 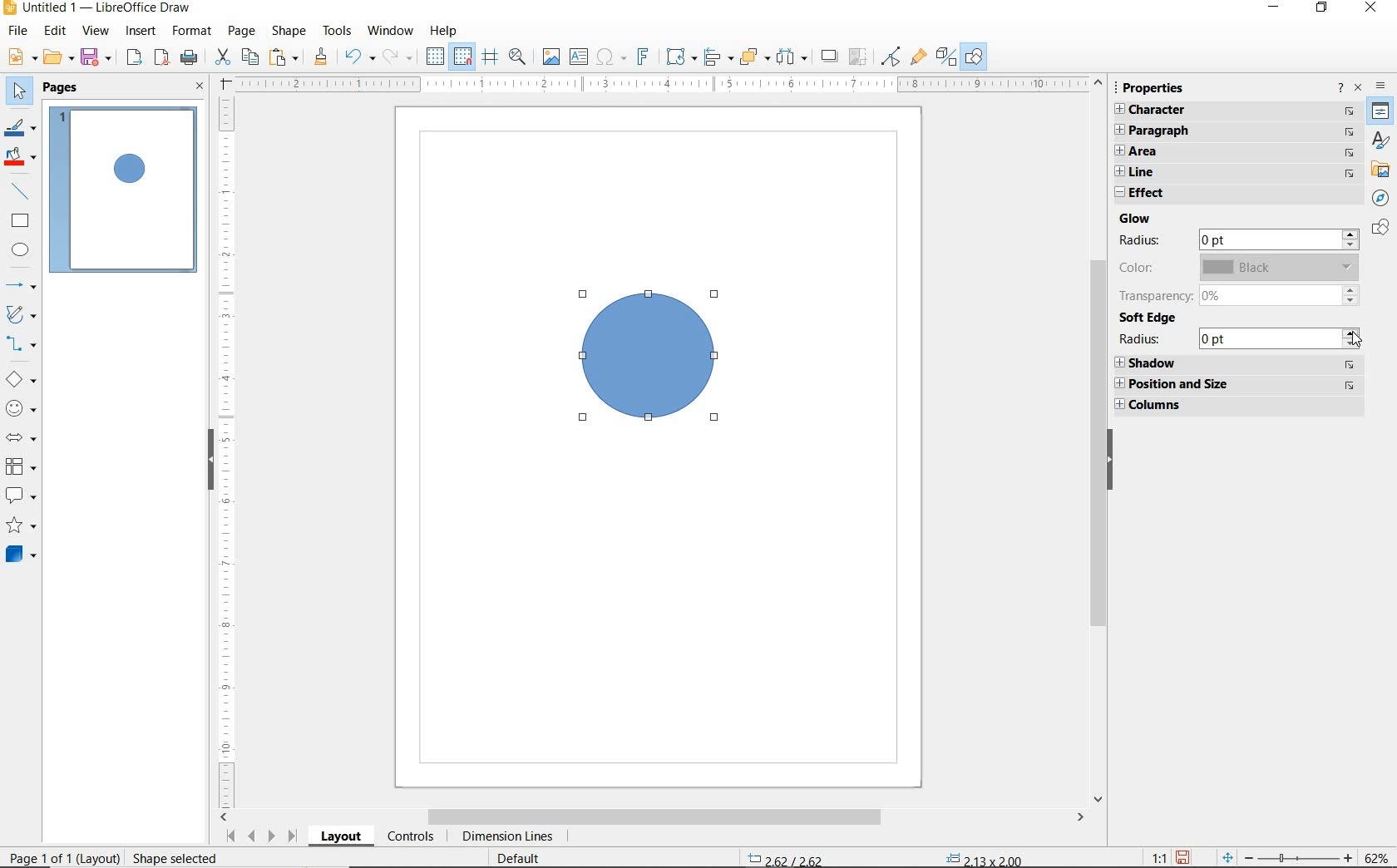 What do you see at coordinates (444, 32) in the screenshot?
I see `HELP` at bounding box center [444, 32].